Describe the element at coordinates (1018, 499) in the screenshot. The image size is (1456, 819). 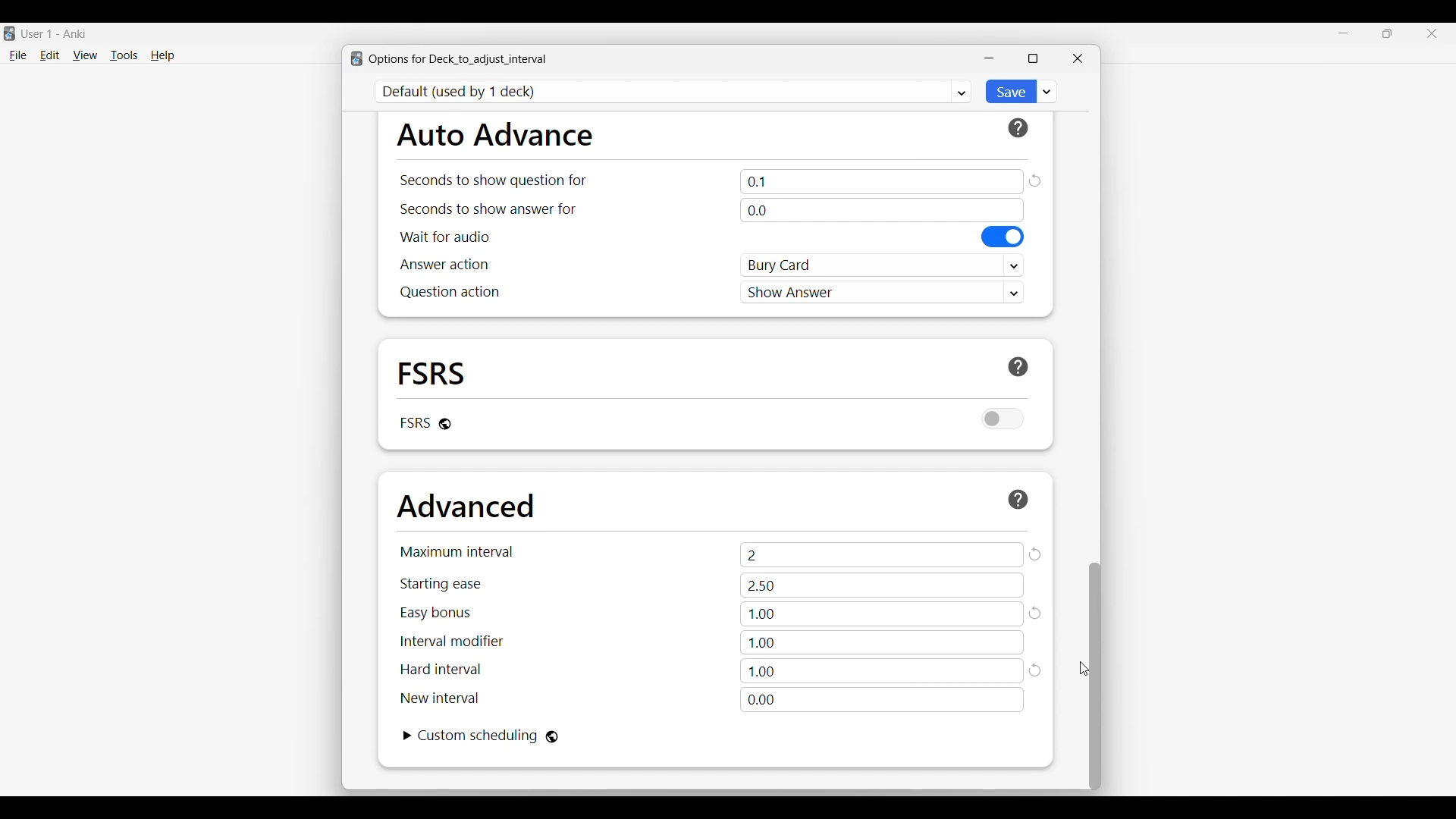
I see `Learn more about respective section` at that location.